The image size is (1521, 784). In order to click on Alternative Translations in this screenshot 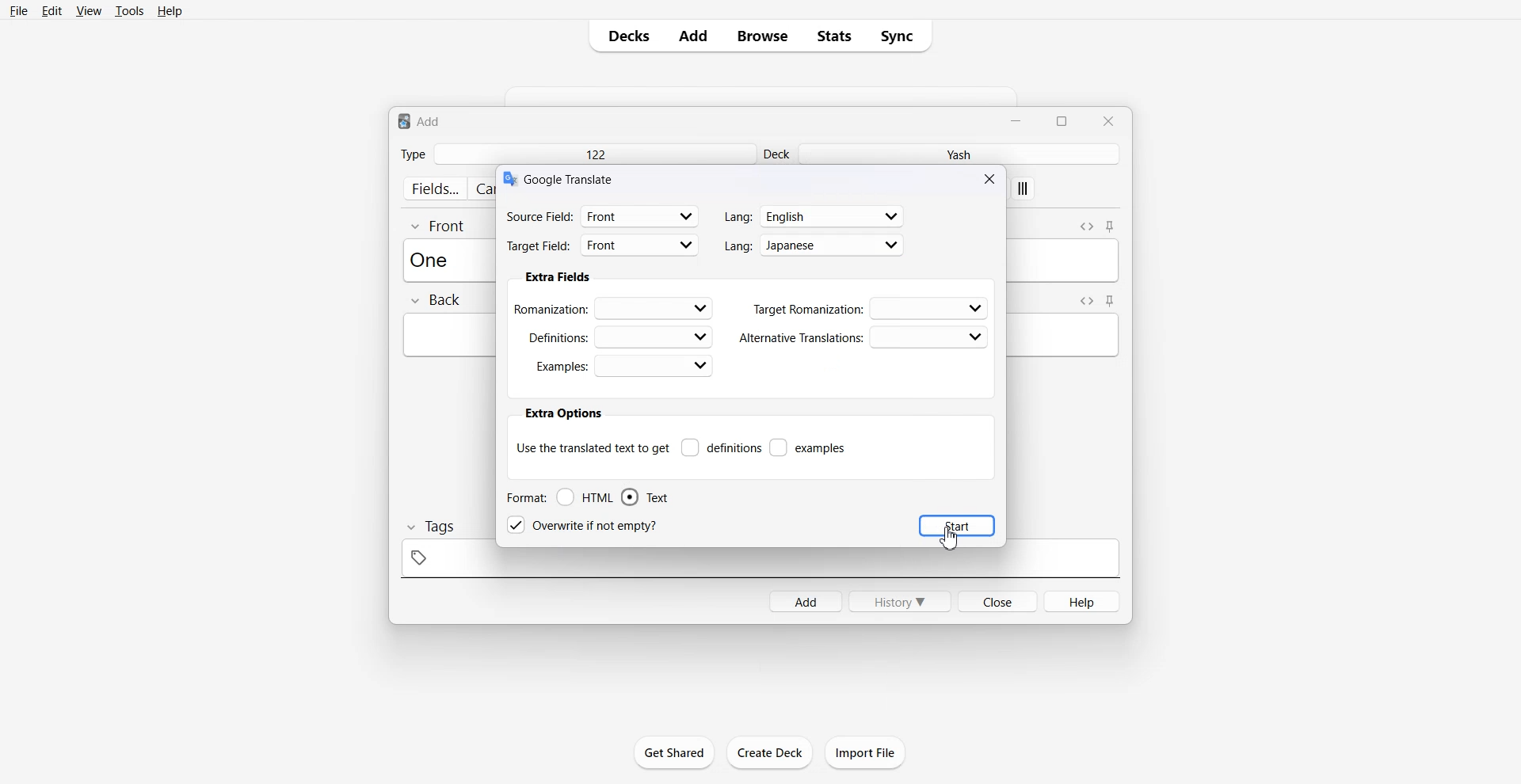, I will do `click(863, 337)`.